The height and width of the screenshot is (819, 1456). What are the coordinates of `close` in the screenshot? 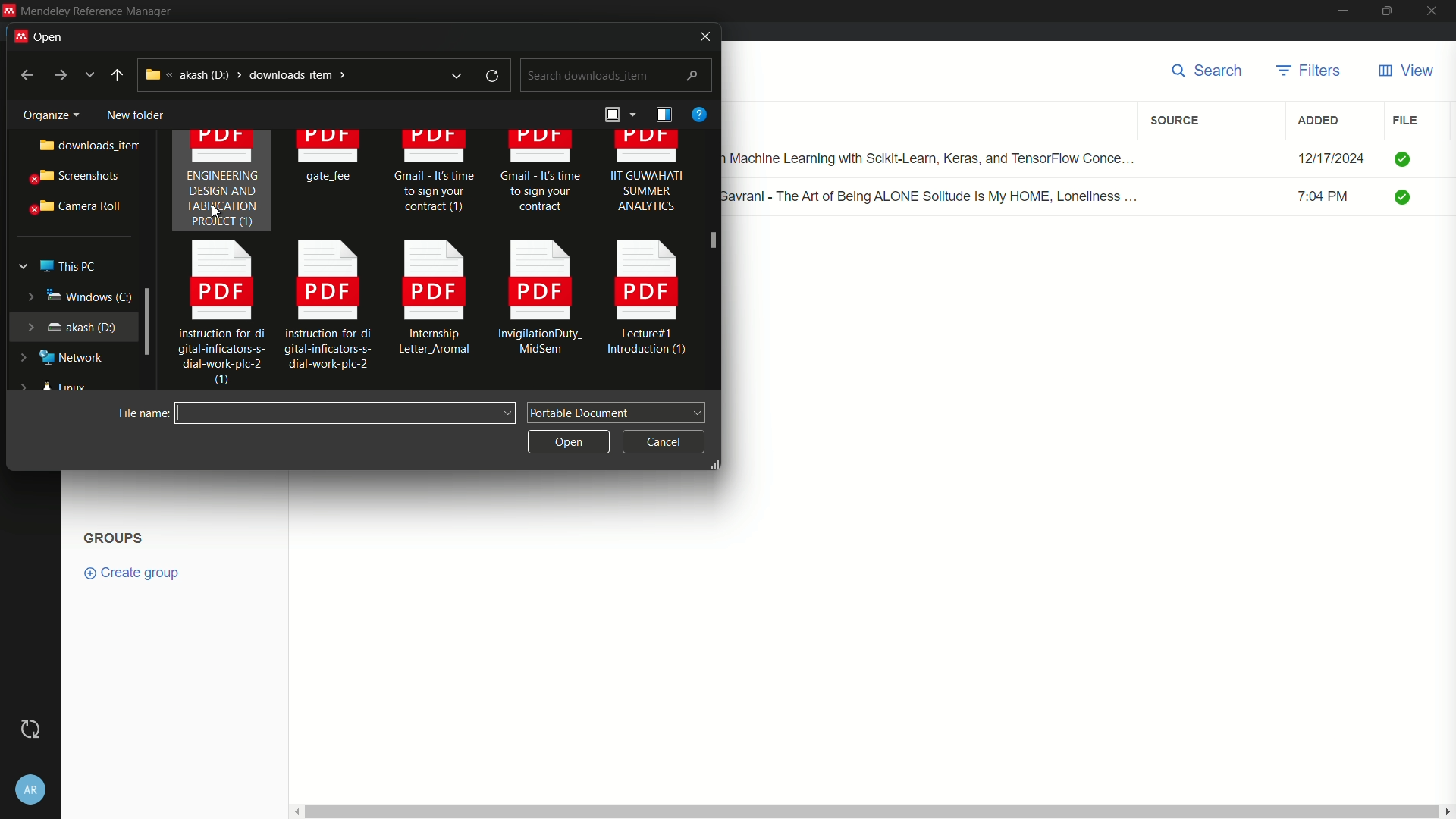 It's located at (700, 36).